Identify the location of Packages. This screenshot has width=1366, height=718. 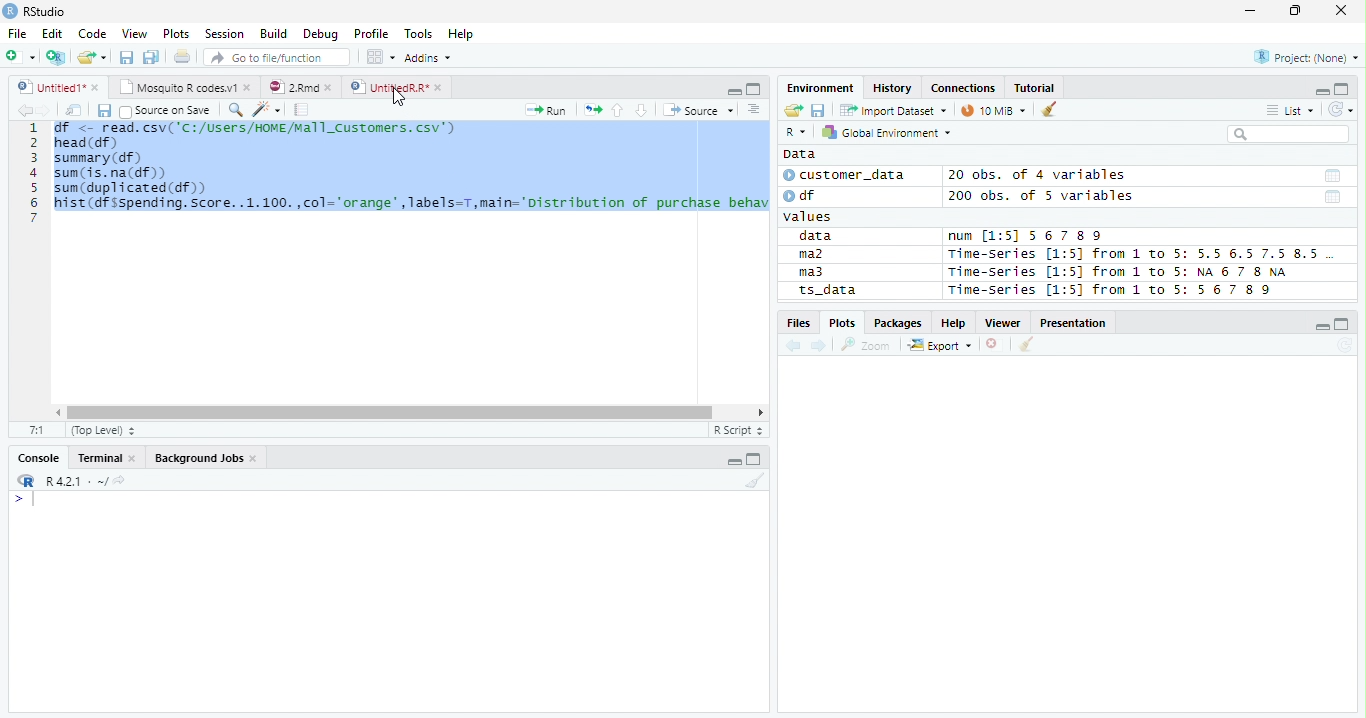
(897, 324).